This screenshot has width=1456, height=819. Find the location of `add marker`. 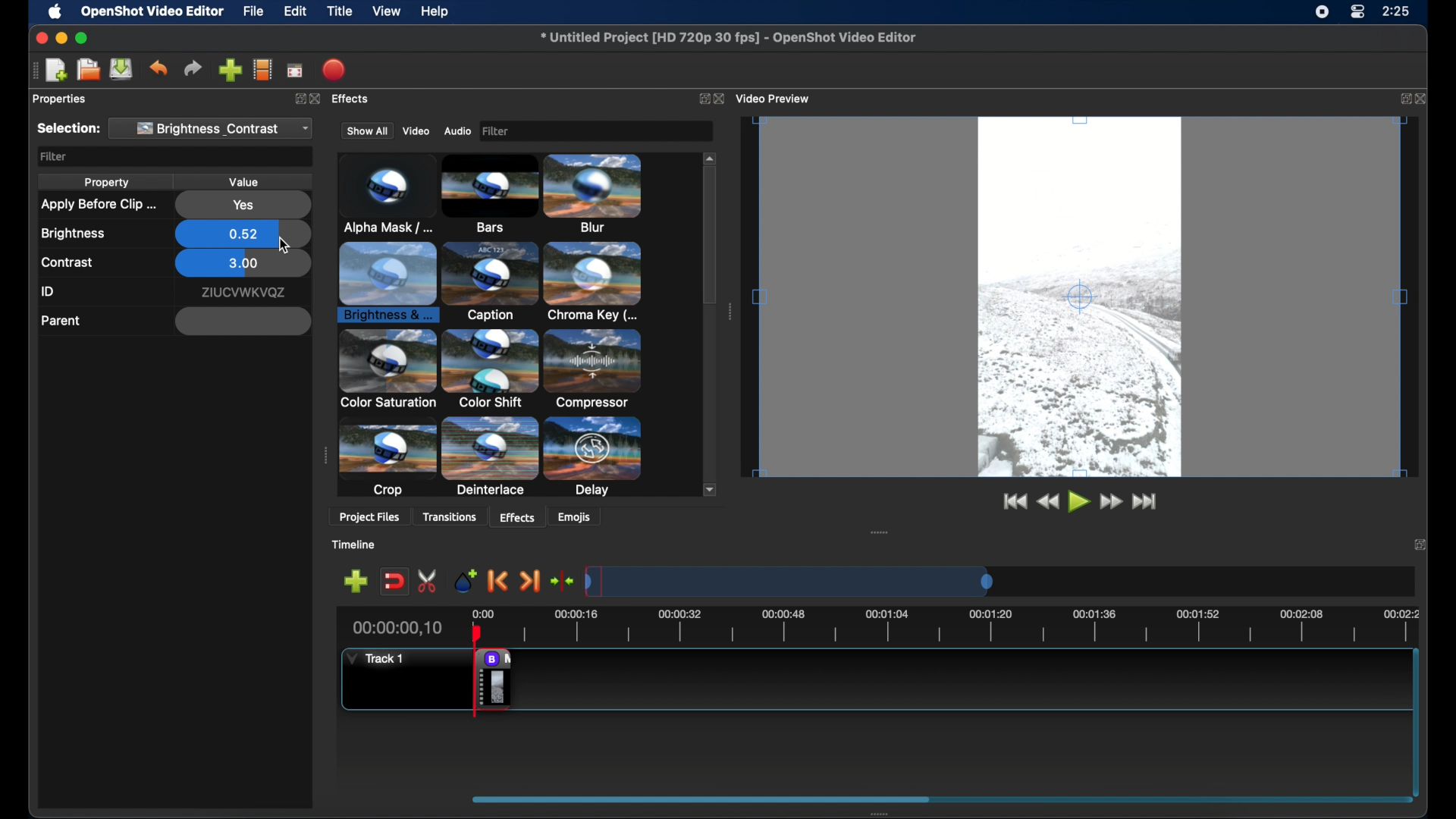

add marker is located at coordinates (460, 579).